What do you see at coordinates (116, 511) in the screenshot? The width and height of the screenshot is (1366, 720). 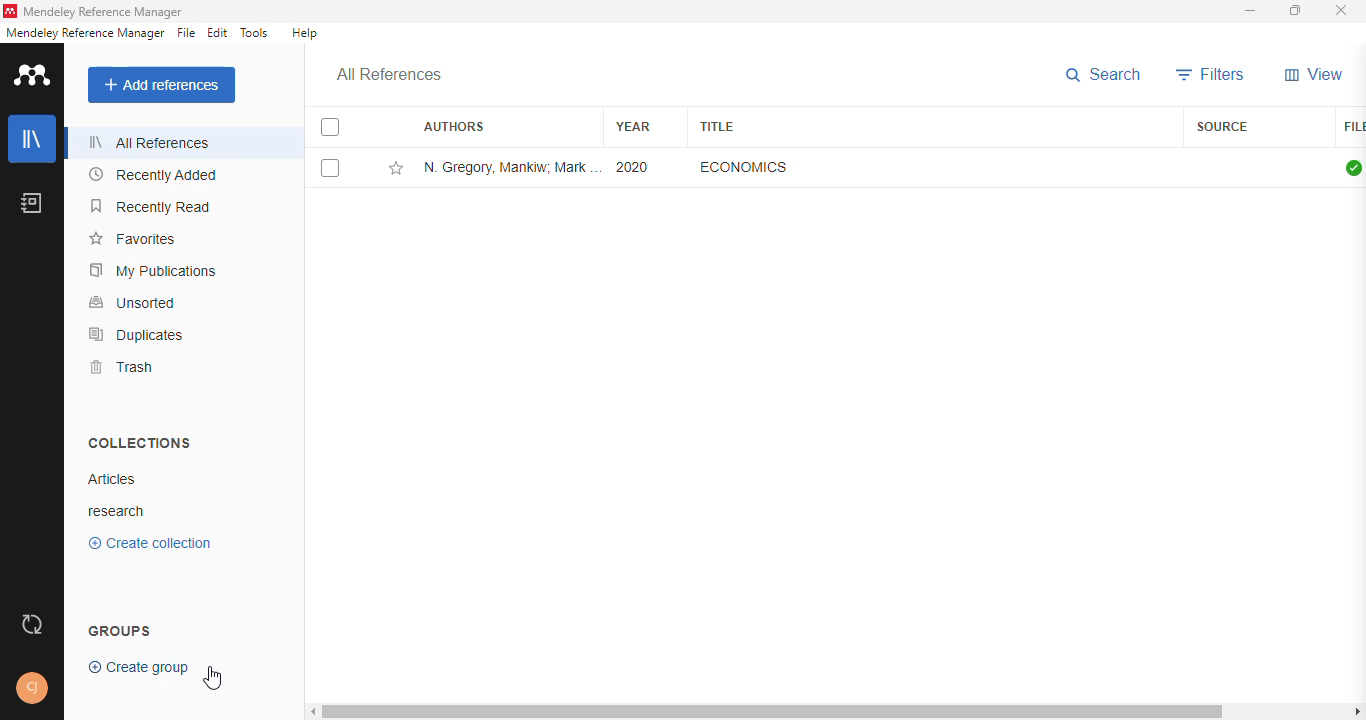 I see `research` at bounding box center [116, 511].